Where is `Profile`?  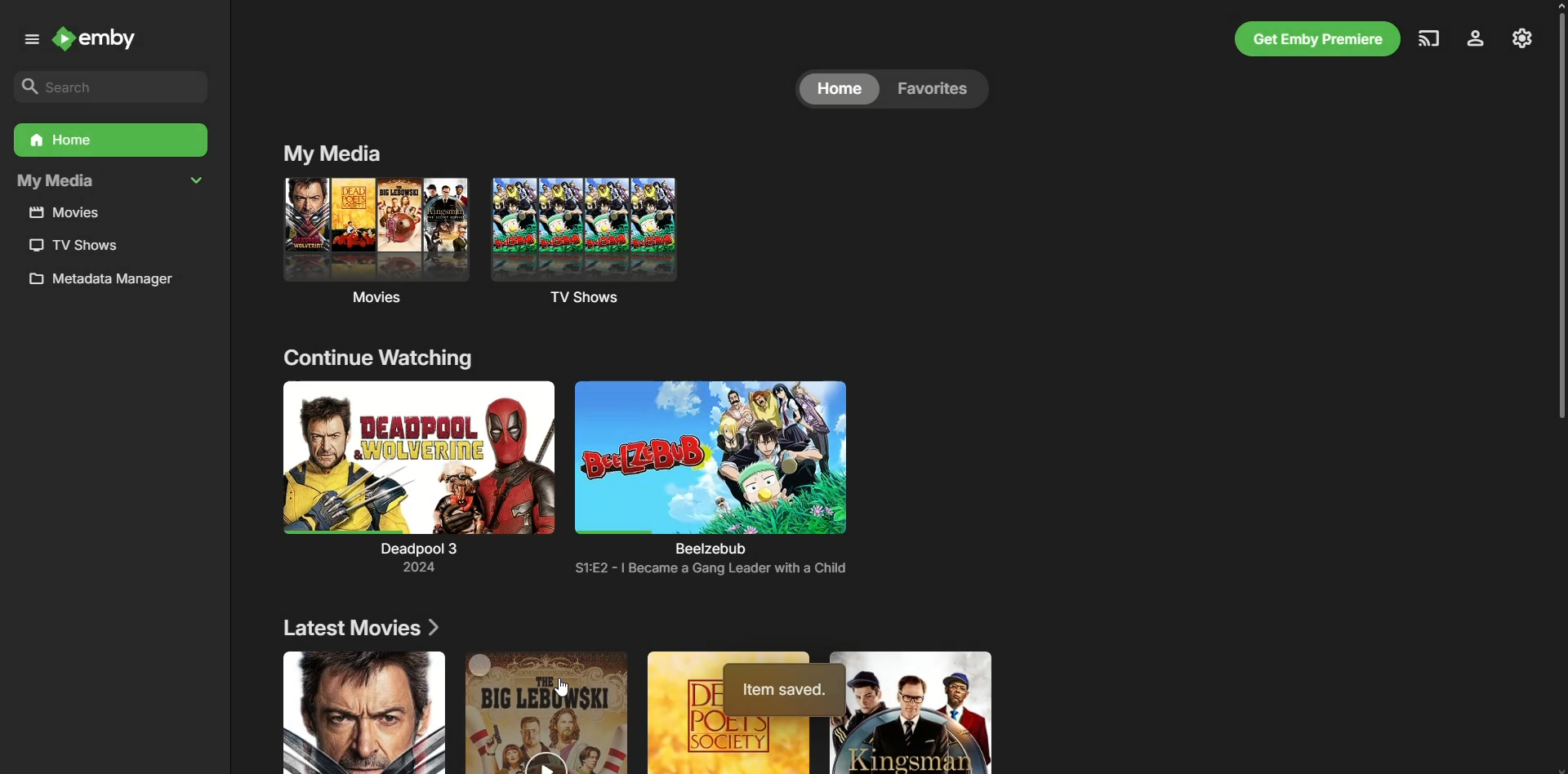 Profile is located at coordinates (1473, 39).